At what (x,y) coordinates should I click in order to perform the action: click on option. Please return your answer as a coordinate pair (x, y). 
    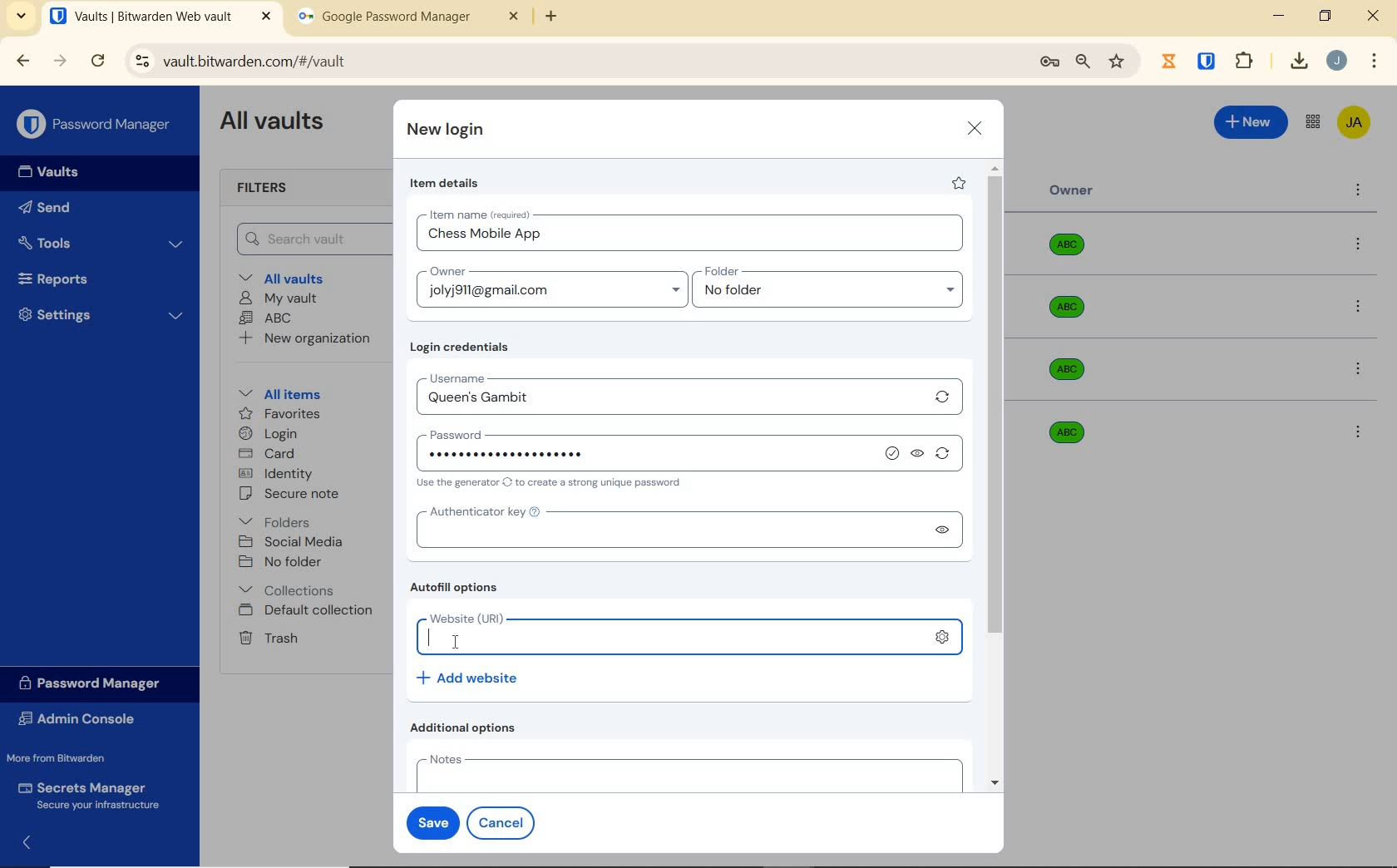
    Looking at the image, I should click on (1361, 245).